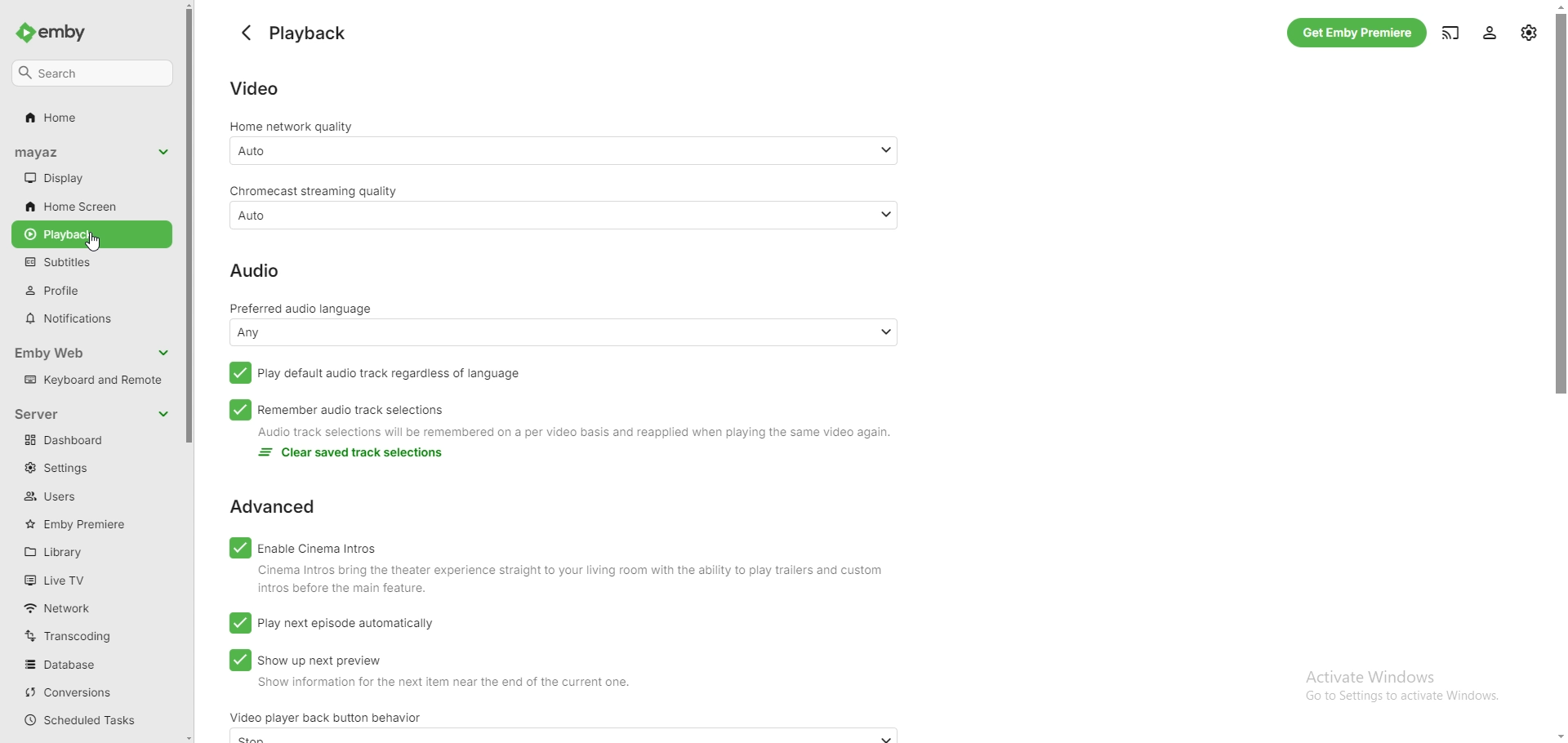 The image size is (1568, 743). Describe the element at coordinates (305, 659) in the screenshot. I see `show up next preview` at that location.